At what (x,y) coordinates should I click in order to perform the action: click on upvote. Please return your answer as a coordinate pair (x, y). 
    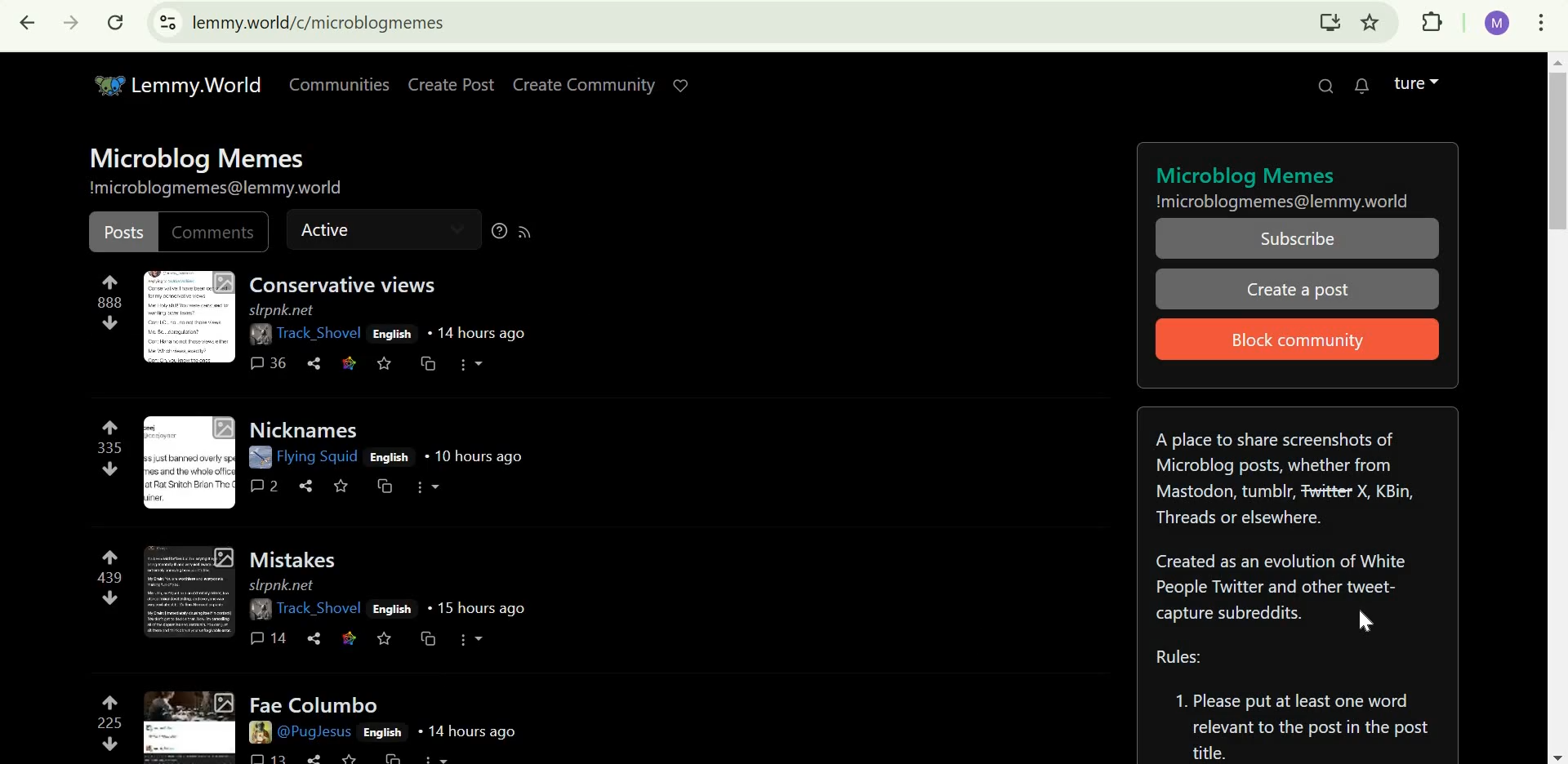
    Looking at the image, I should click on (110, 280).